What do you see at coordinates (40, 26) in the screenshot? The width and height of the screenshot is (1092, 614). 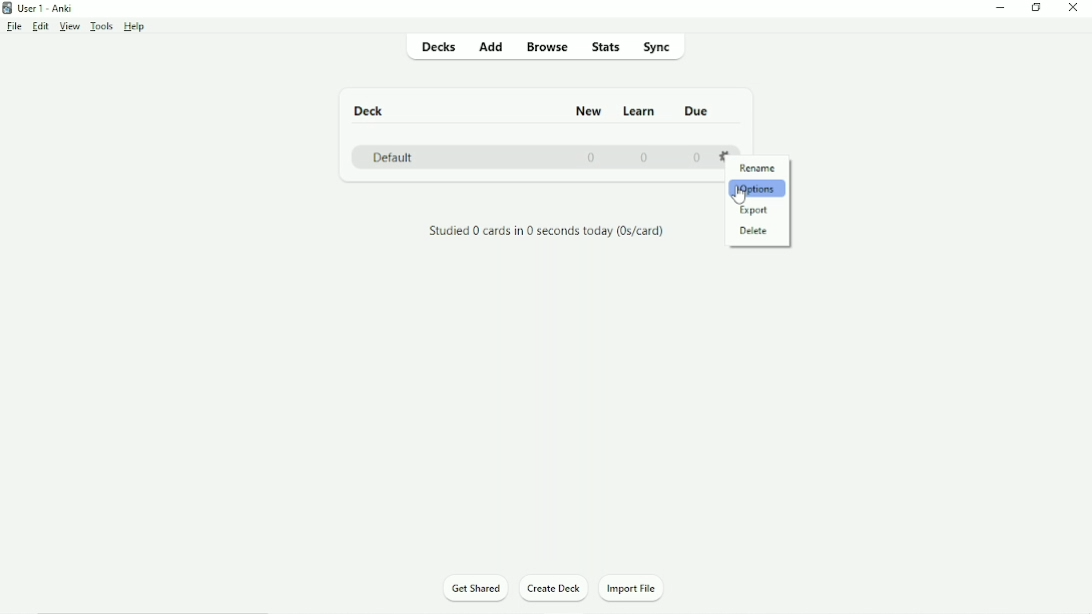 I see `Edit` at bounding box center [40, 26].